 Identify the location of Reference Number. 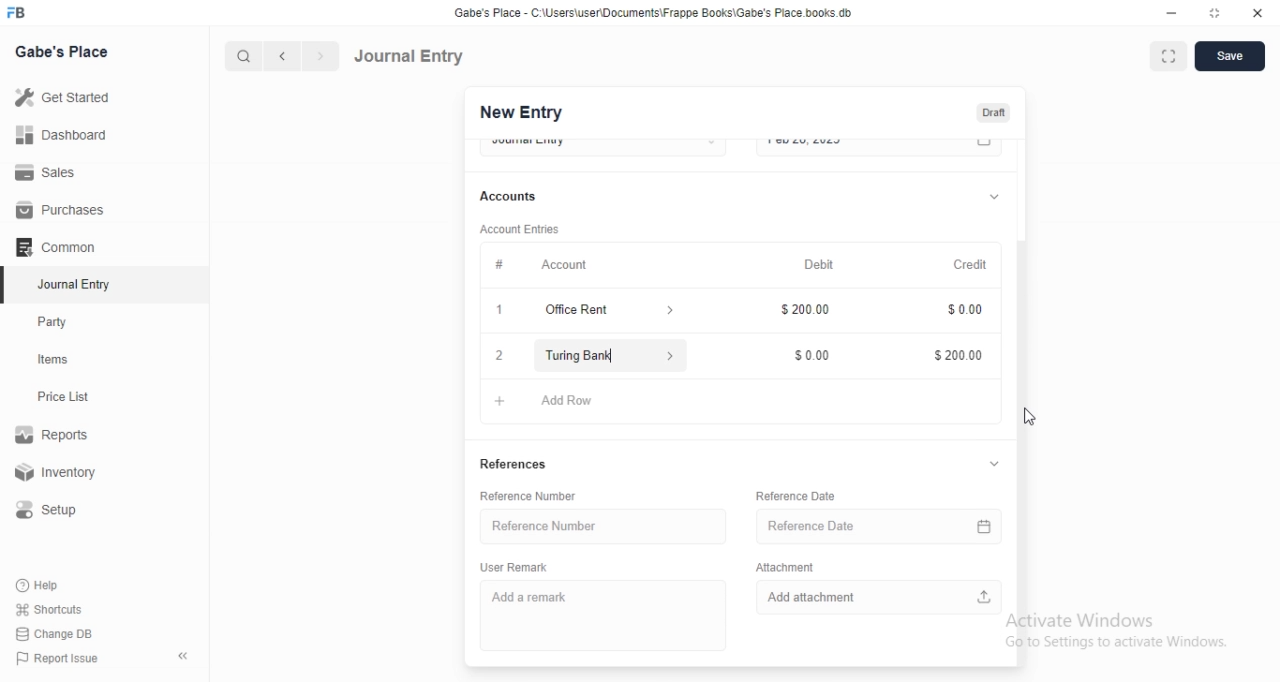
(541, 496).